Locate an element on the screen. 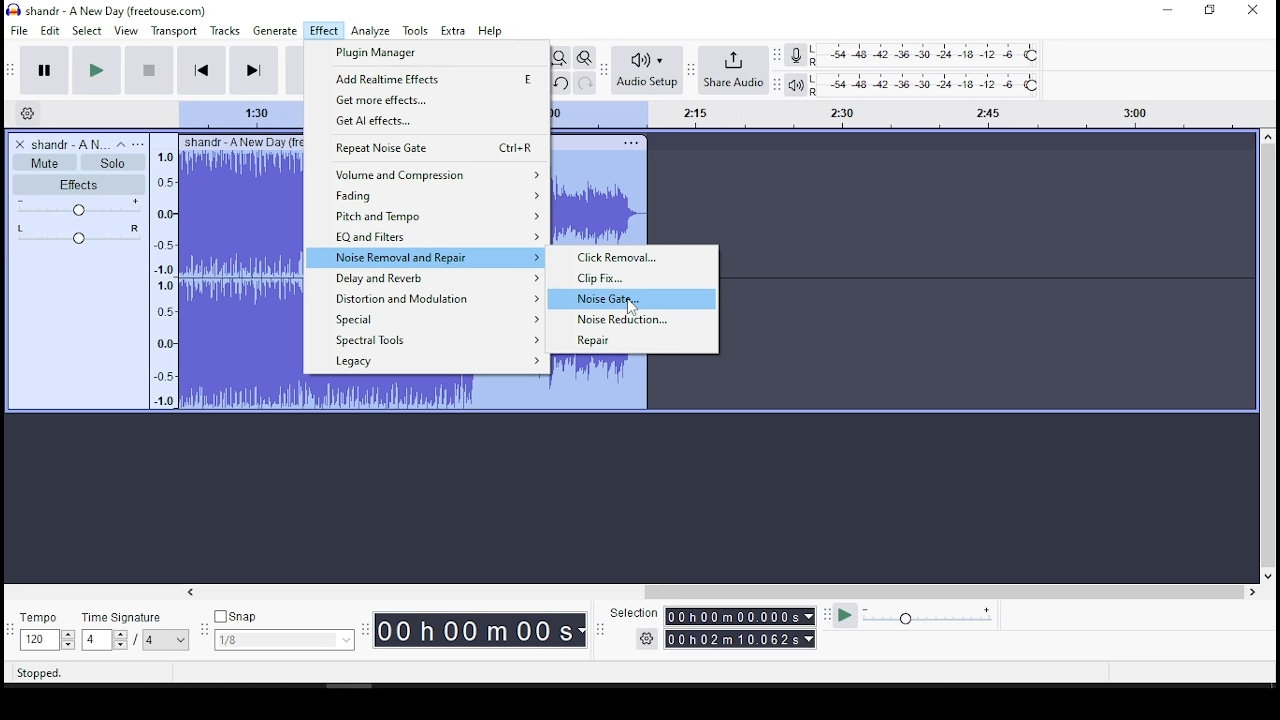 The height and width of the screenshot is (720, 1280). delay and reverb is located at coordinates (424, 277).